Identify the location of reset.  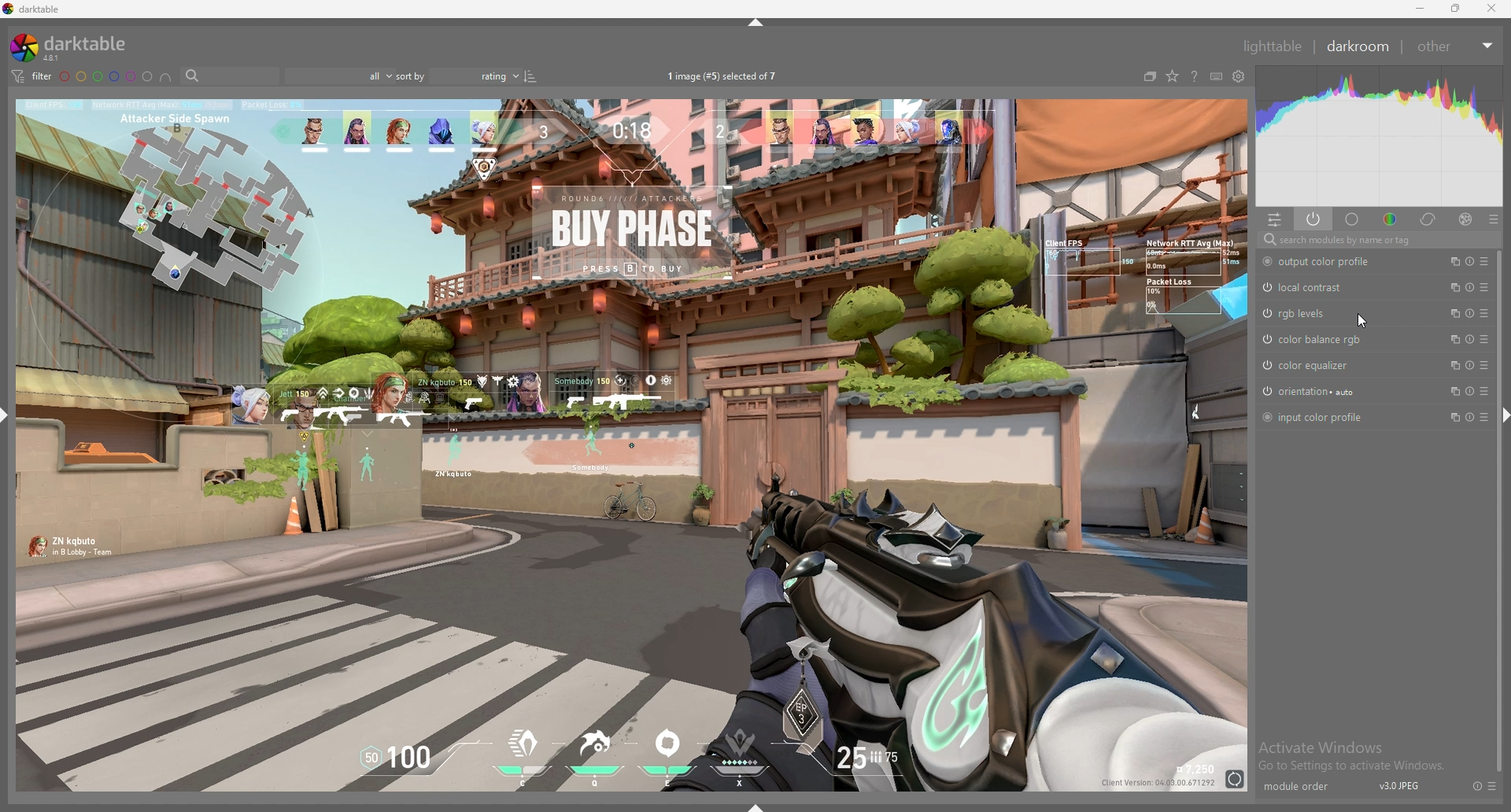
(1469, 261).